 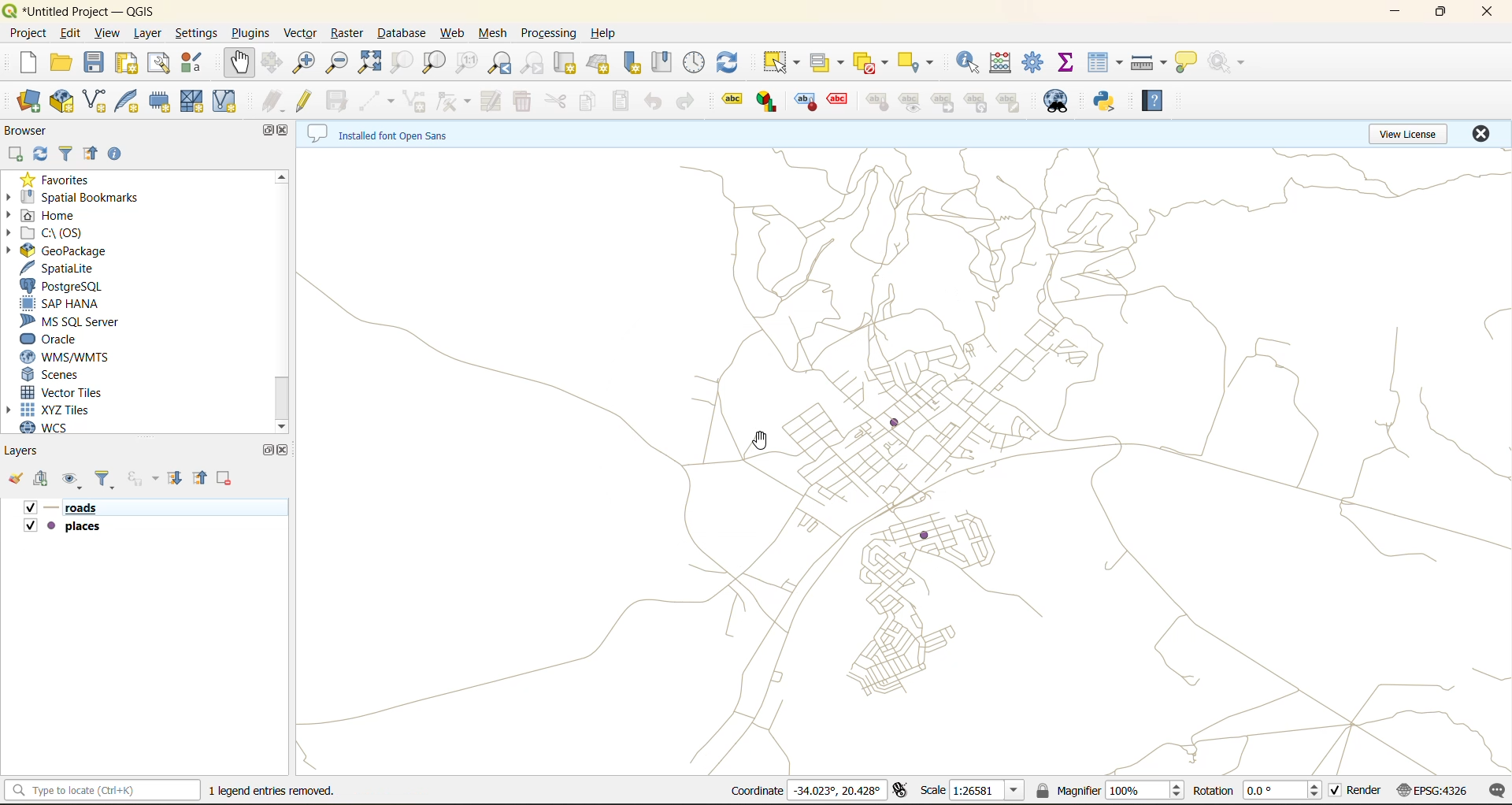 What do you see at coordinates (382, 133) in the screenshot?
I see `metadata` at bounding box center [382, 133].